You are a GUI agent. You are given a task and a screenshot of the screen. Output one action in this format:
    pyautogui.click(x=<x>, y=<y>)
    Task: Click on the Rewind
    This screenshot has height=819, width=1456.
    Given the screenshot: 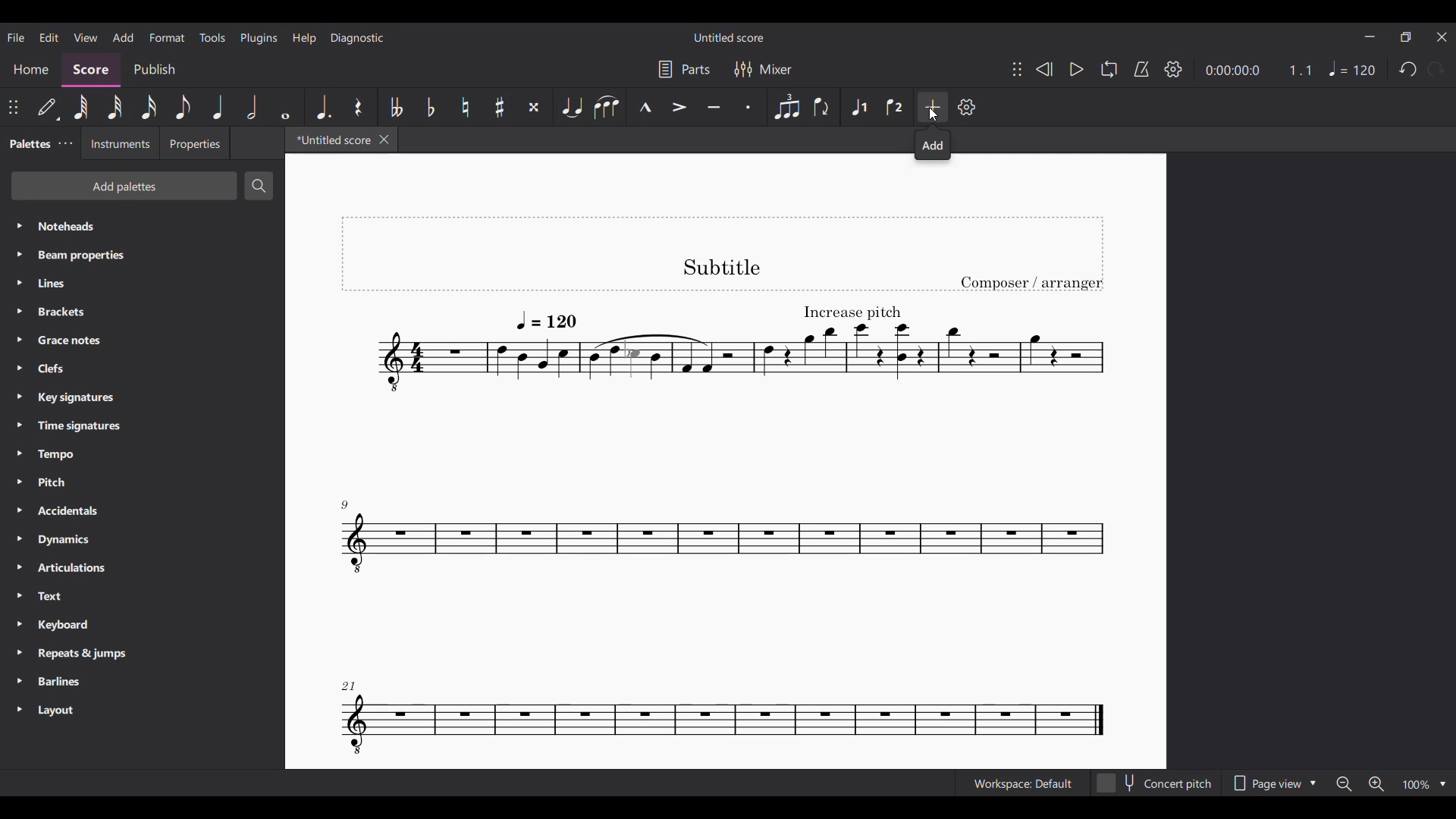 What is the action you would take?
    pyautogui.click(x=1043, y=69)
    